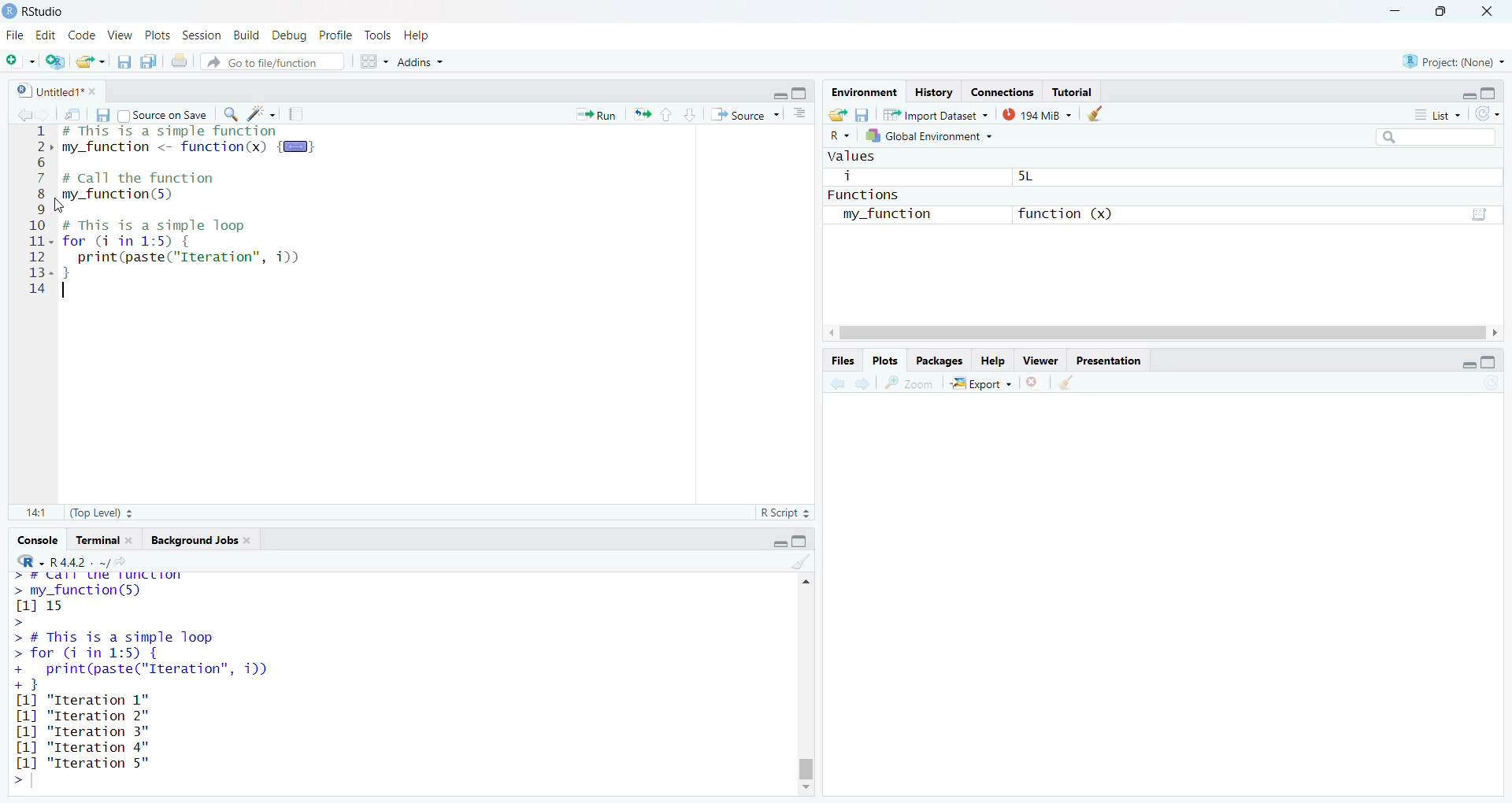  I want to click on minimize, so click(776, 541).